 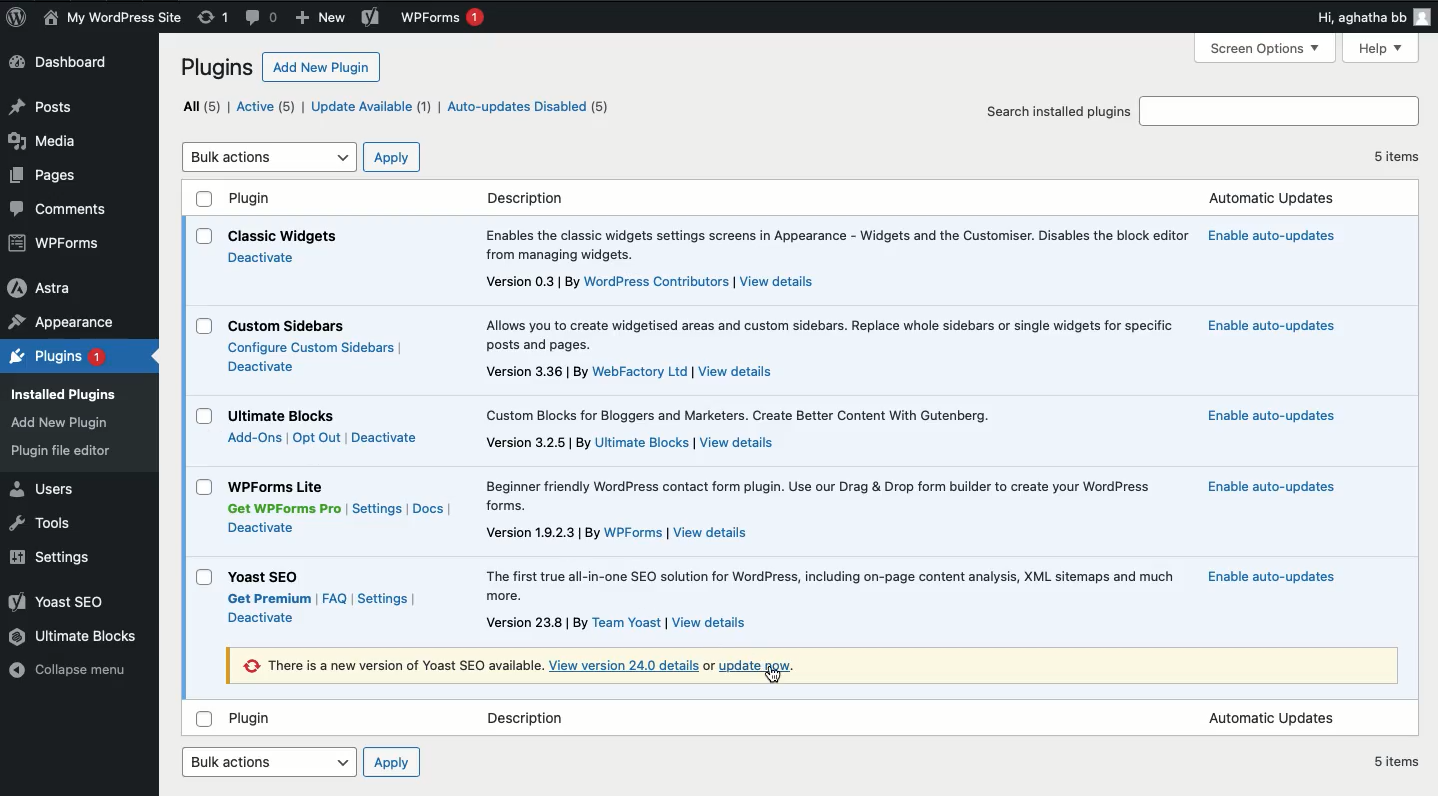 What do you see at coordinates (629, 373) in the screenshot?
I see `Description` at bounding box center [629, 373].